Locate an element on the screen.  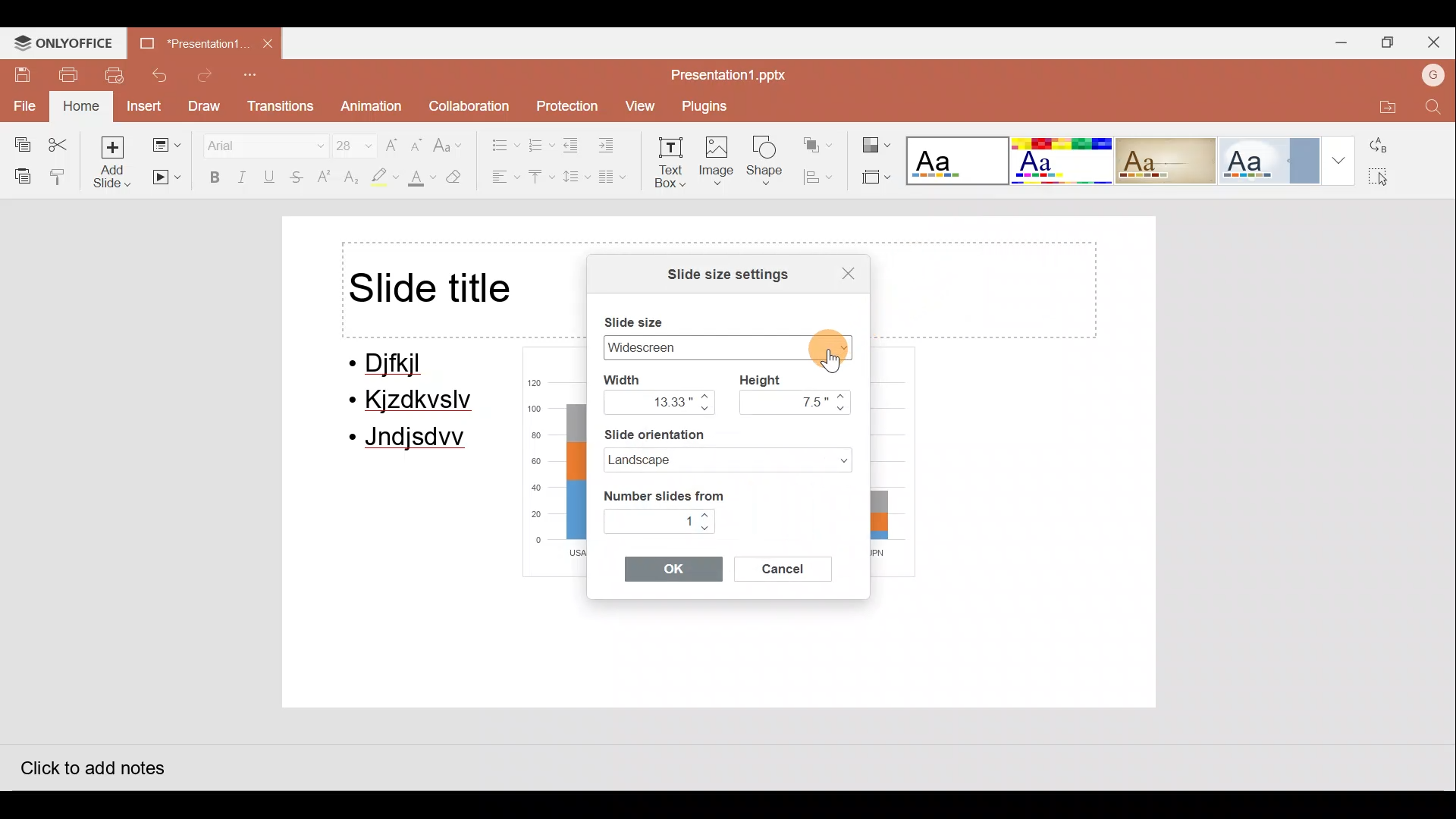
Italic is located at coordinates (243, 176).